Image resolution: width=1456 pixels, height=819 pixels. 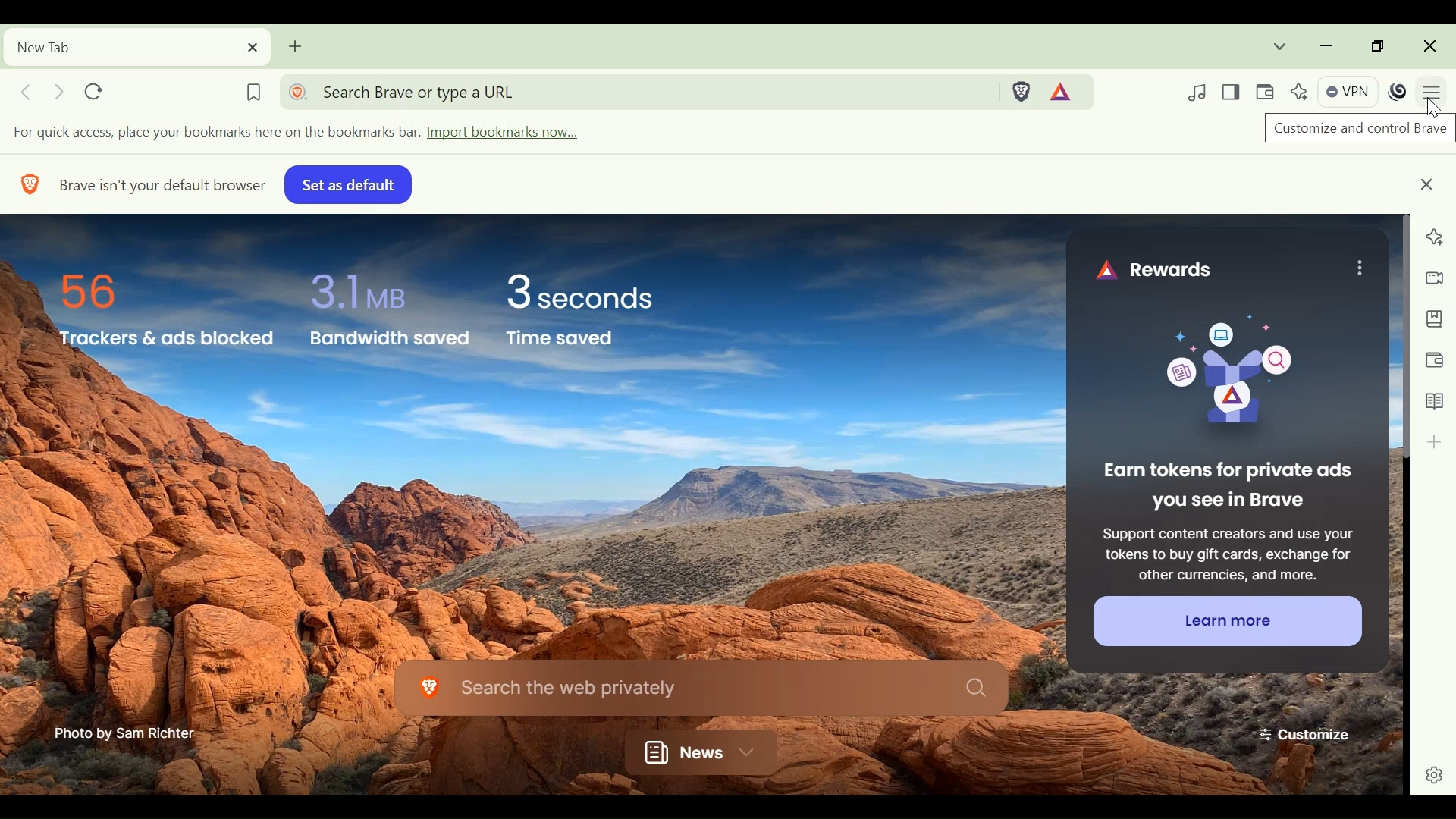 I want to click on cursor, so click(x=1432, y=108).